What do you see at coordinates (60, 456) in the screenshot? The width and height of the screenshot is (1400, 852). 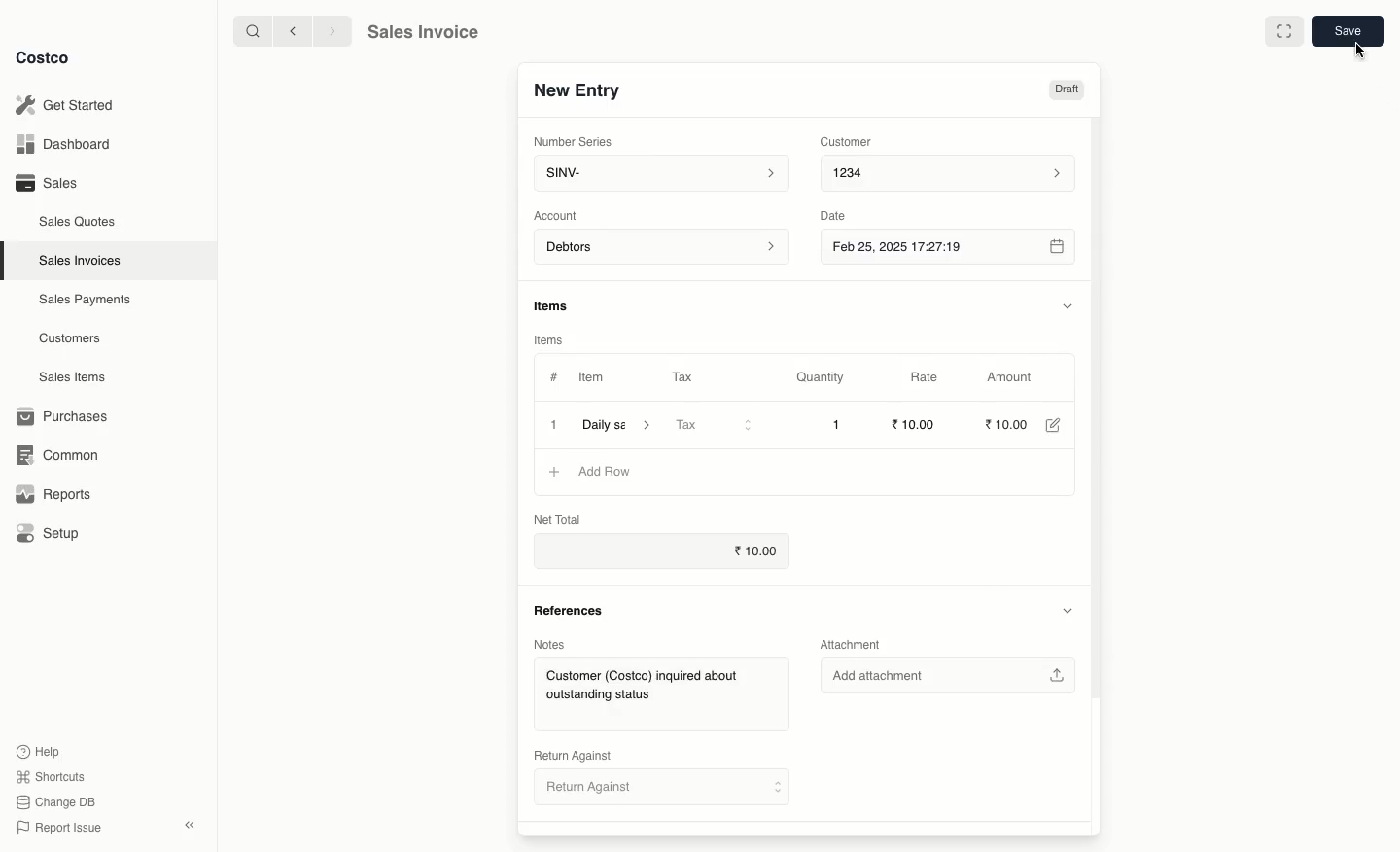 I see `Common` at bounding box center [60, 456].